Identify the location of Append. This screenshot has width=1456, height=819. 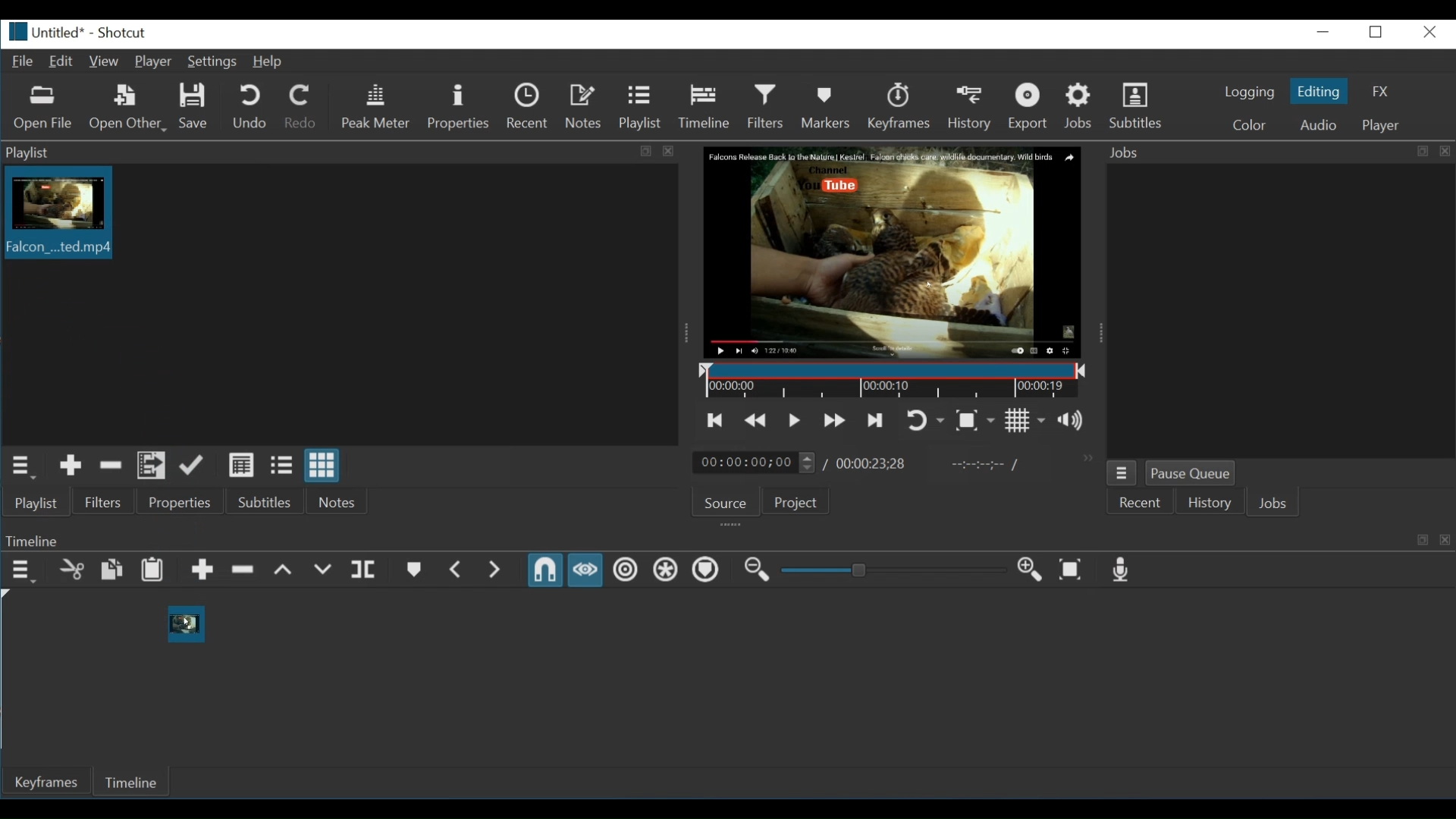
(203, 570).